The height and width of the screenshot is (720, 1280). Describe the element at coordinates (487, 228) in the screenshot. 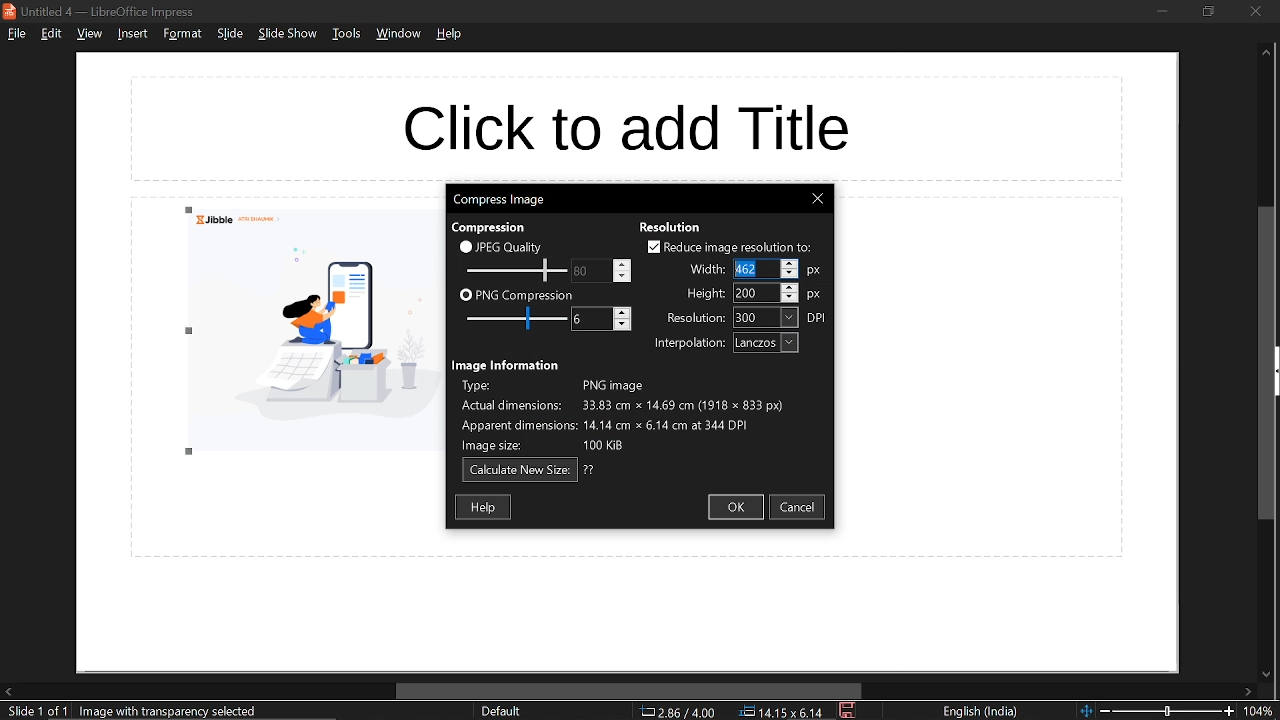

I see `compression` at that location.